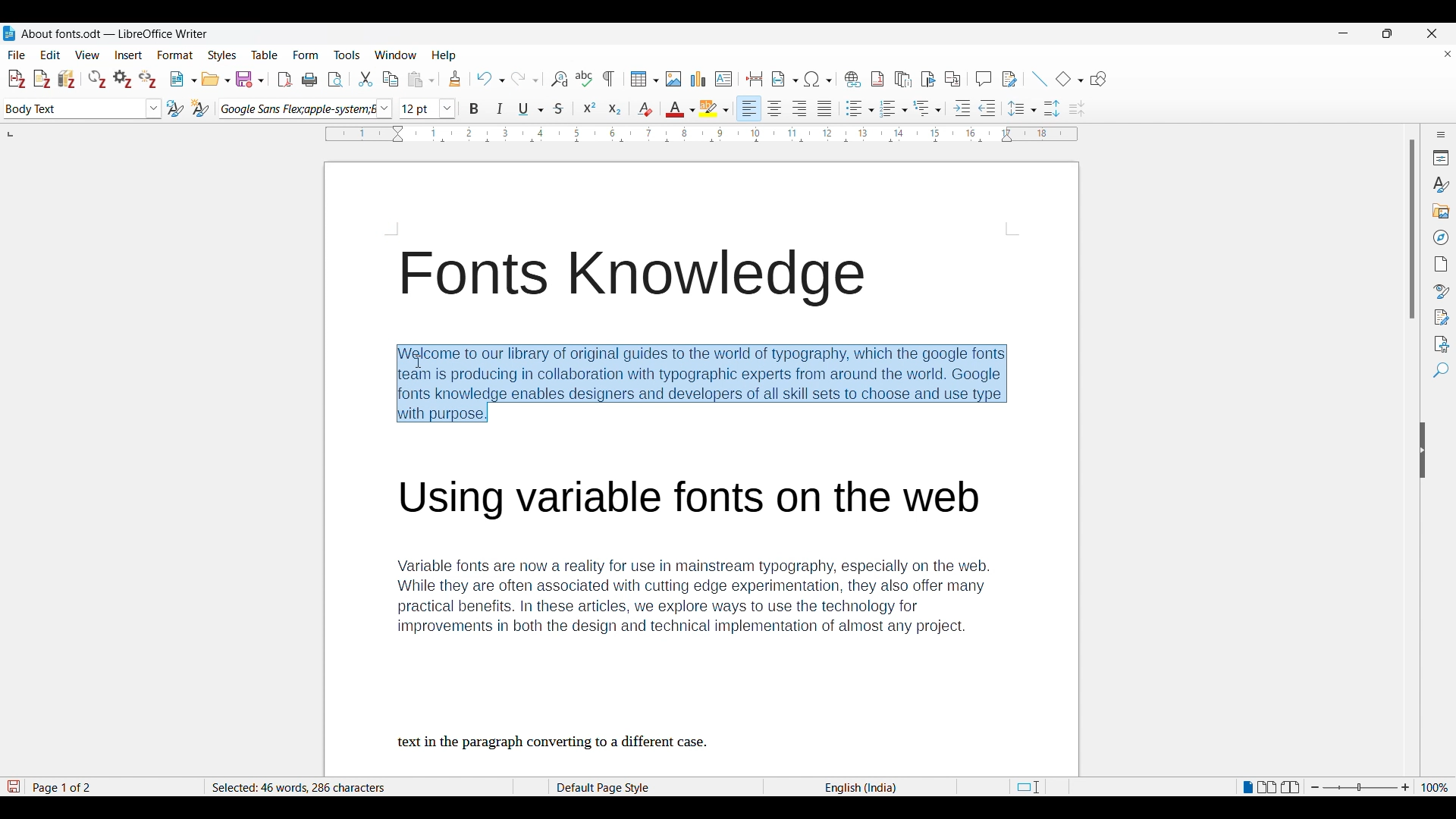 Image resolution: width=1456 pixels, height=819 pixels. I want to click on Undo, so click(490, 79).